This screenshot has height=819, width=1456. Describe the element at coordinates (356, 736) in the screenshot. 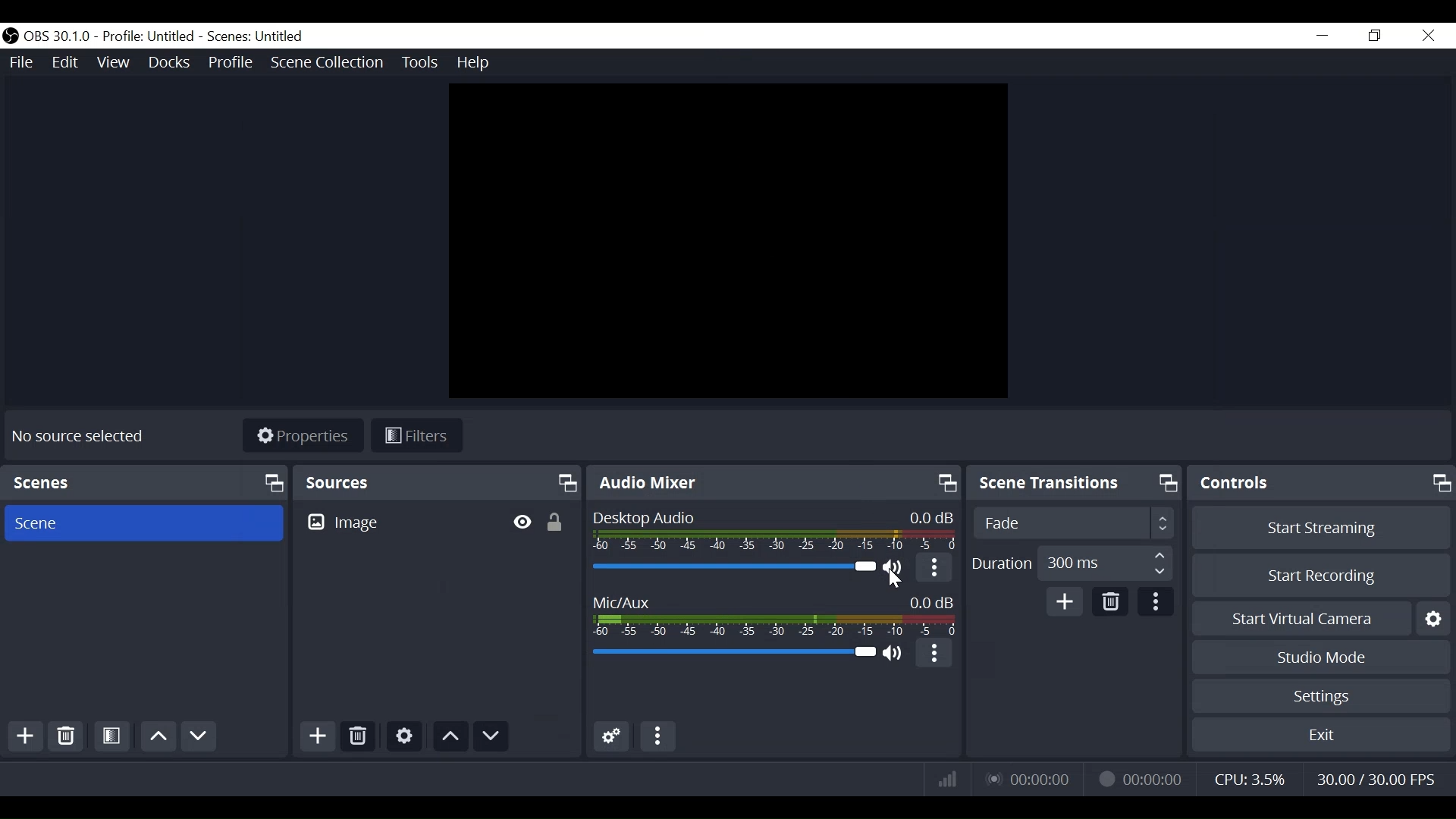

I see `Delete` at that location.